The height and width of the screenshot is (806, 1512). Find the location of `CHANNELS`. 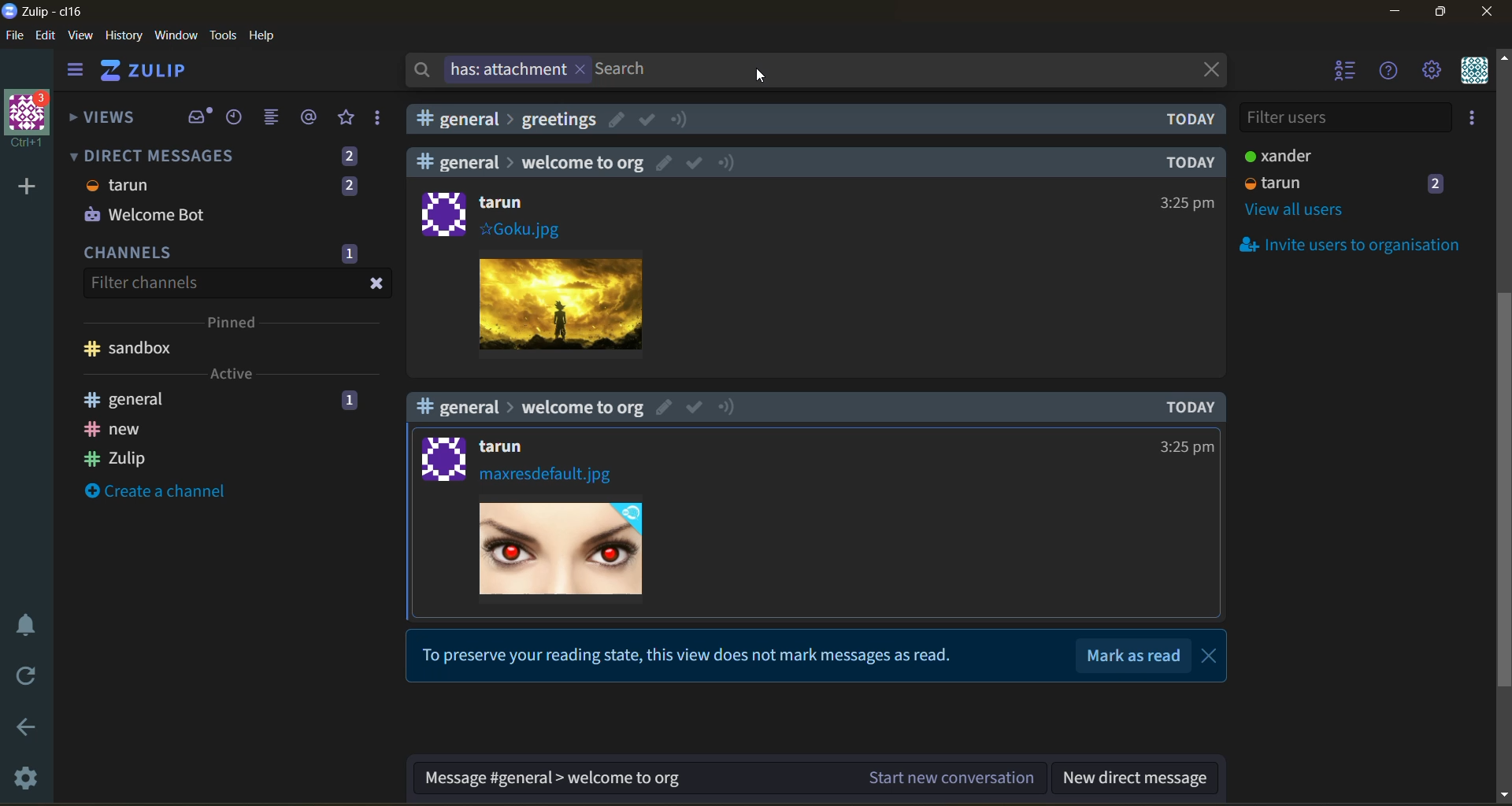

CHANNELS is located at coordinates (131, 255).